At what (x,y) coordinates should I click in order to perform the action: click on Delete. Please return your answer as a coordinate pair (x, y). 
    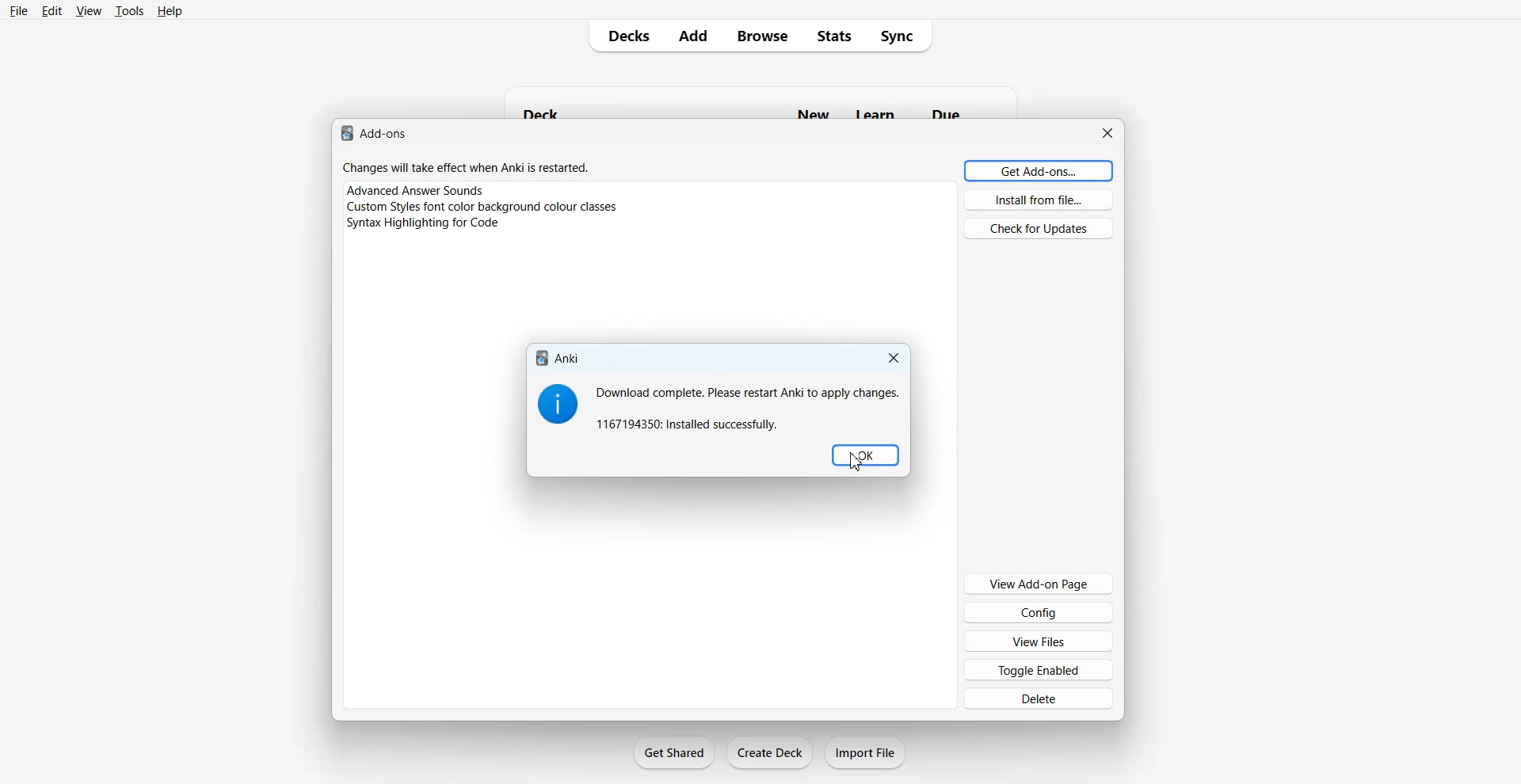
    Looking at the image, I should click on (1038, 698).